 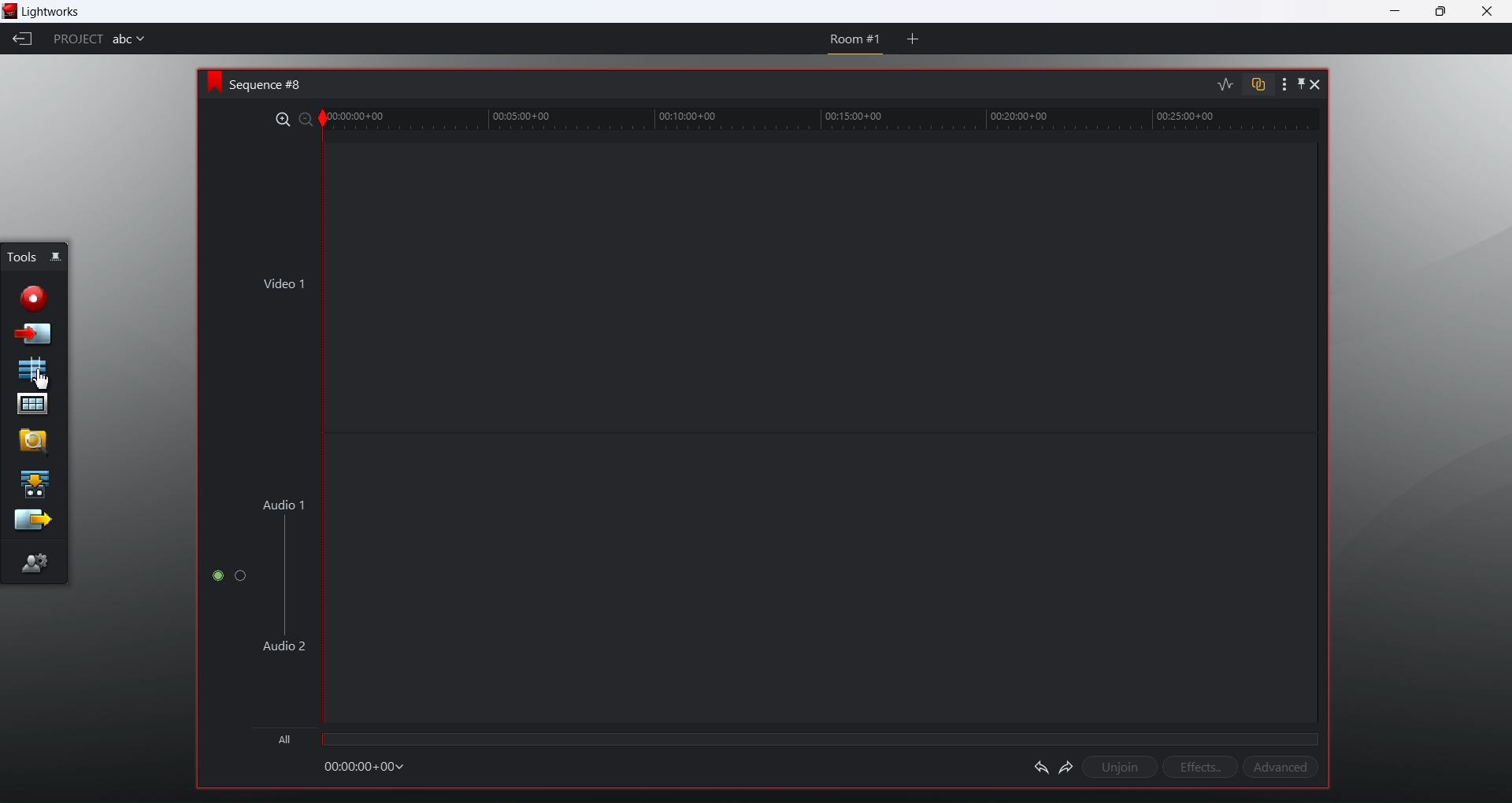 What do you see at coordinates (34, 335) in the screenshot?
I see `import clips` at bounding box center [34, 335].